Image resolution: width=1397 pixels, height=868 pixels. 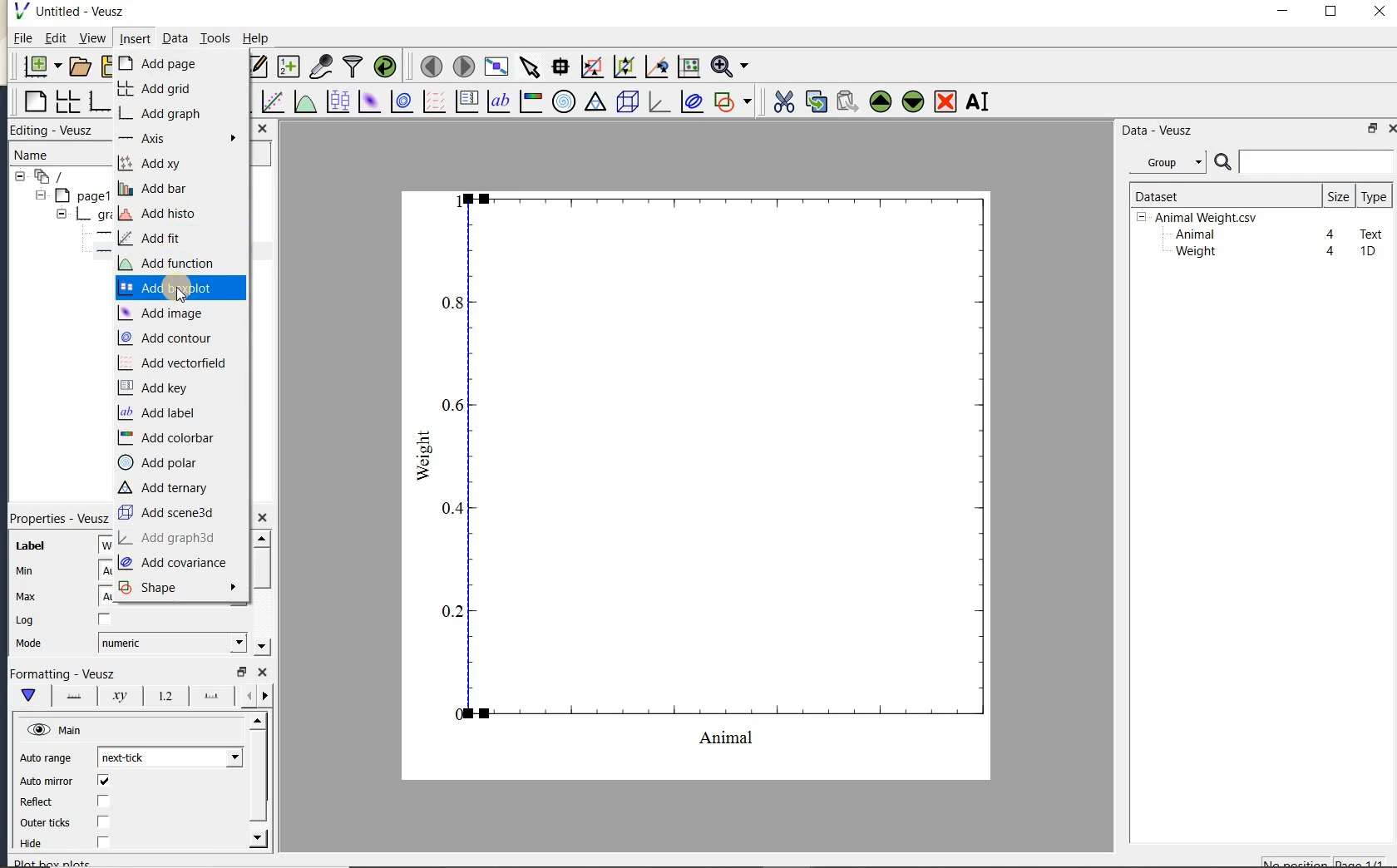 What do you see at coordinates (103, 781) in the screenshot?
I see `check/uncheck` at bounding box center [103, 781].